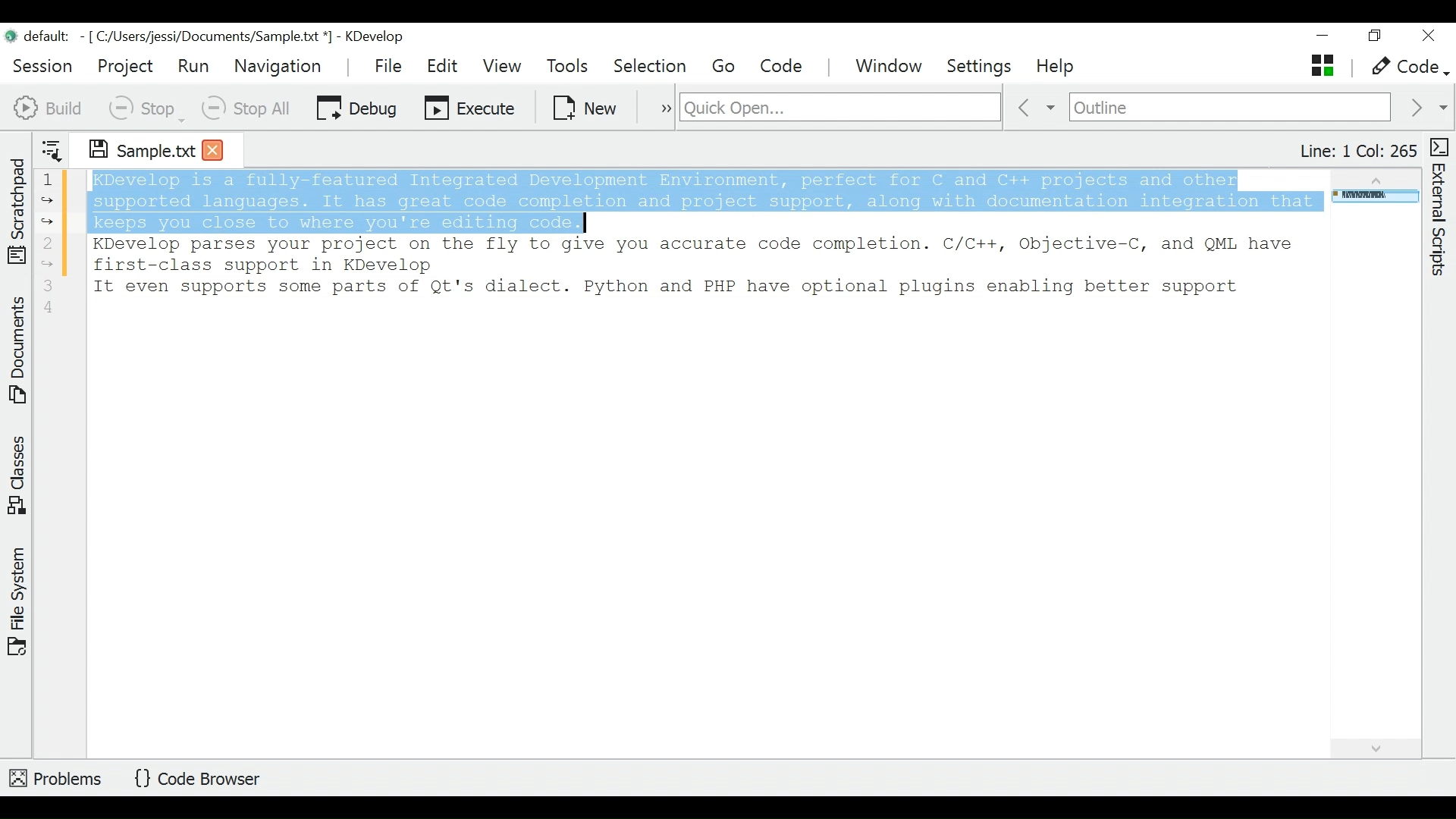 The height and width of the screenshot is (819, 1456). I want to click on Debug, so click(356, 106).